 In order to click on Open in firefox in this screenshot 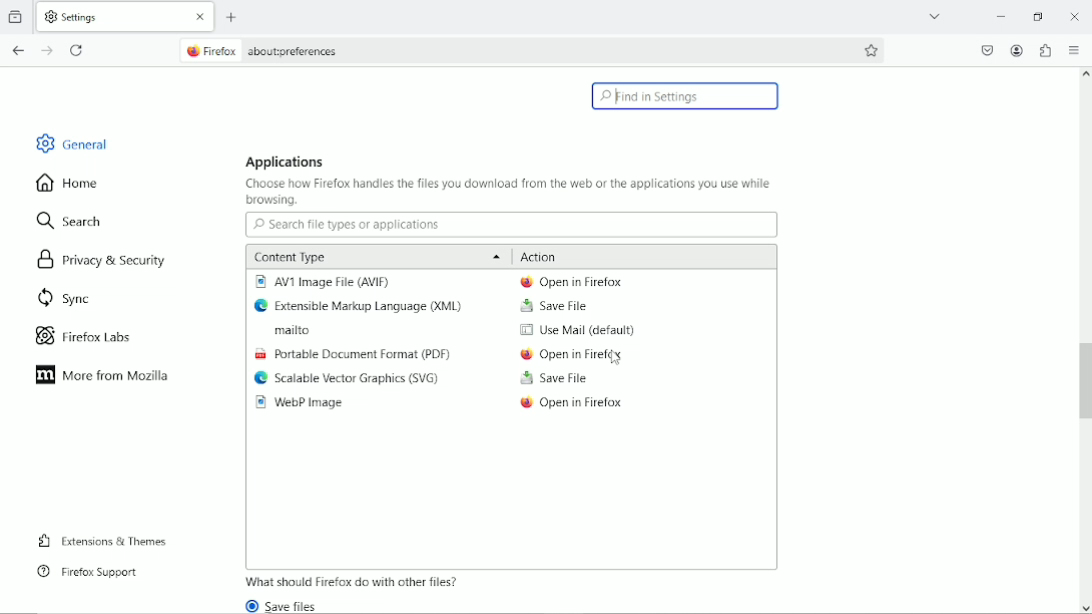, I will do `click(571, 355)`.